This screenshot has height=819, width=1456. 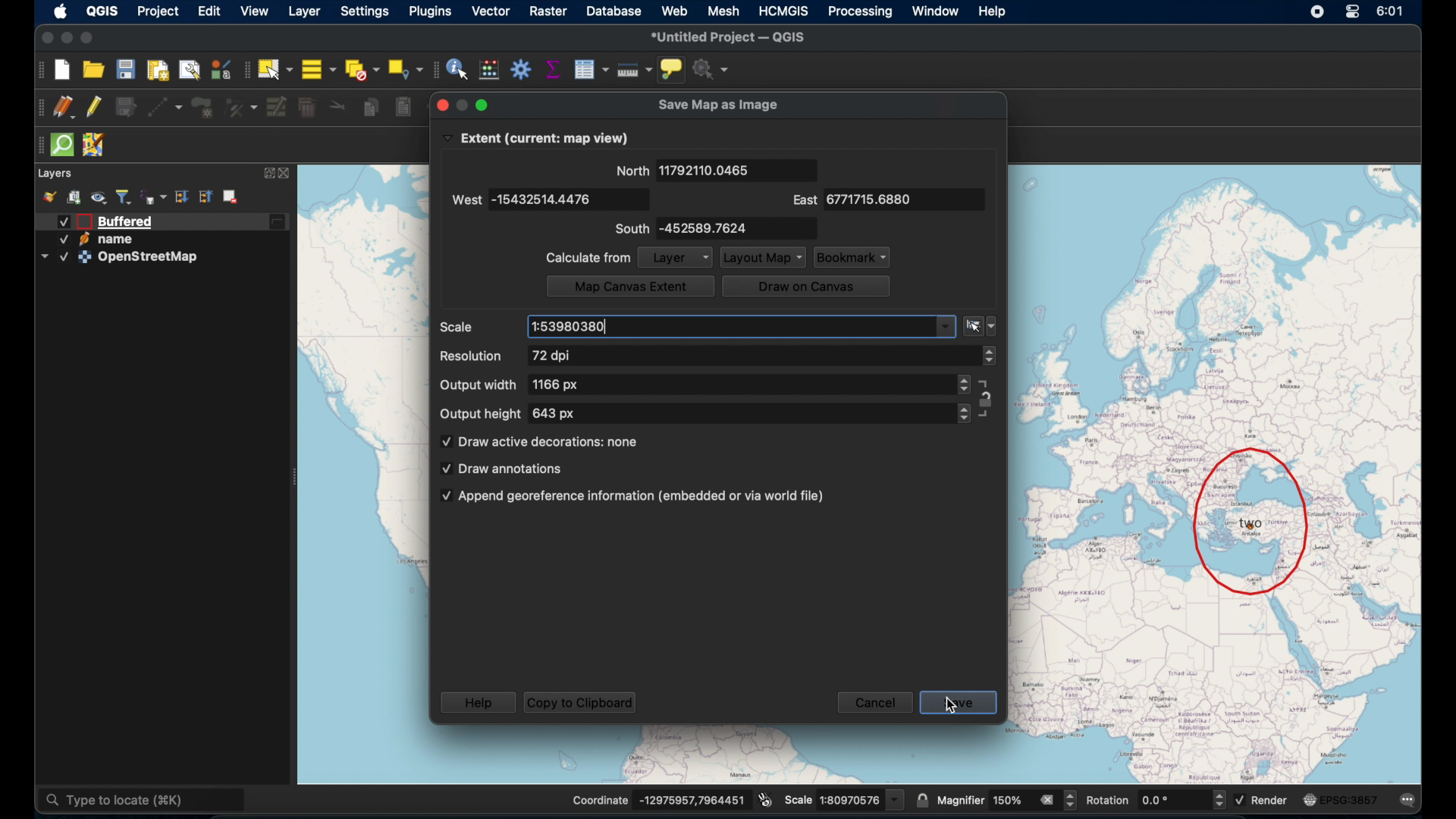 What do you see at coordinates (457, 69) in the screenshot?
I see `identify features` at bounding box center [457, 69].